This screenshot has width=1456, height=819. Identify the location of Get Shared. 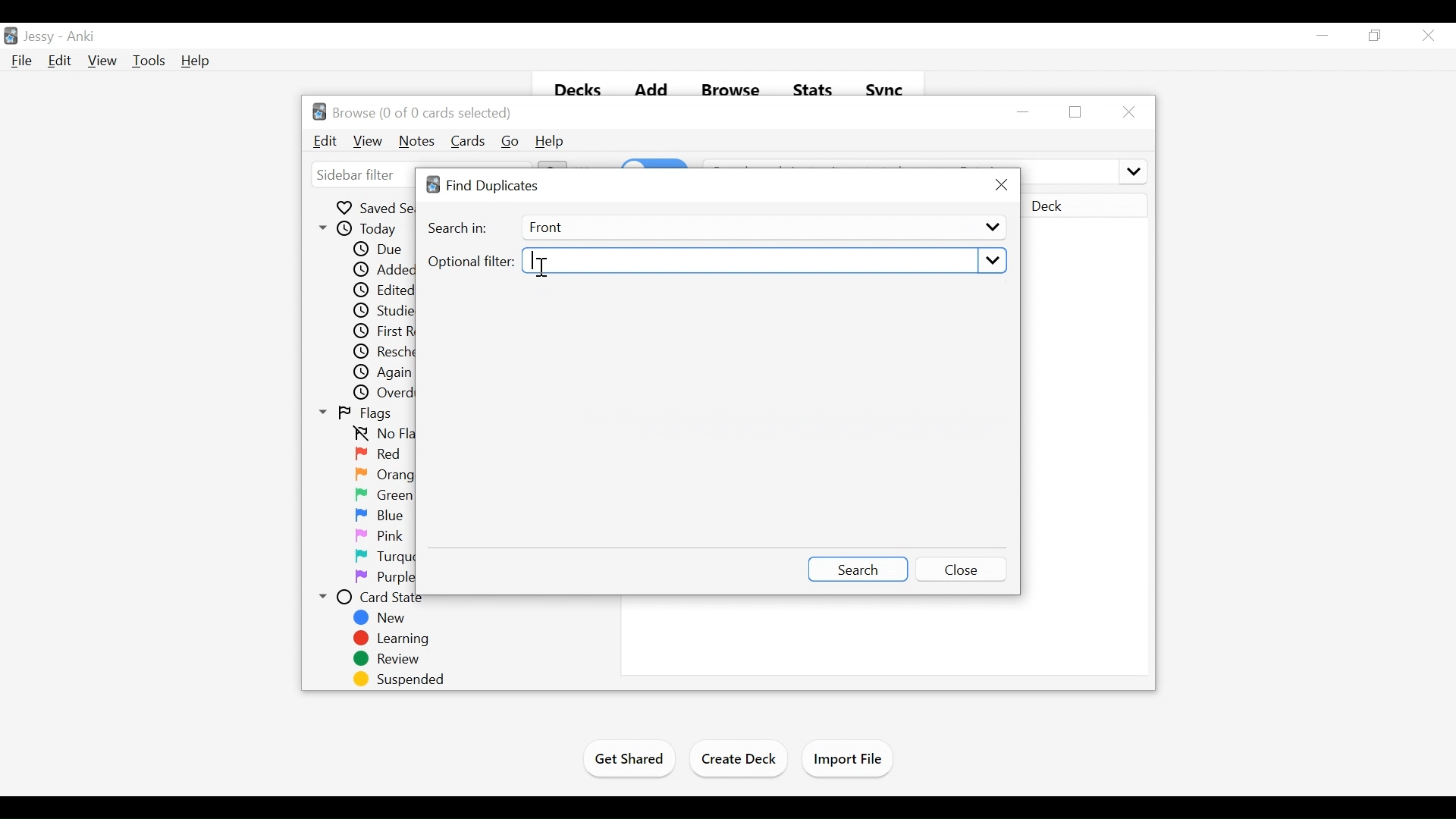
(627, 761).